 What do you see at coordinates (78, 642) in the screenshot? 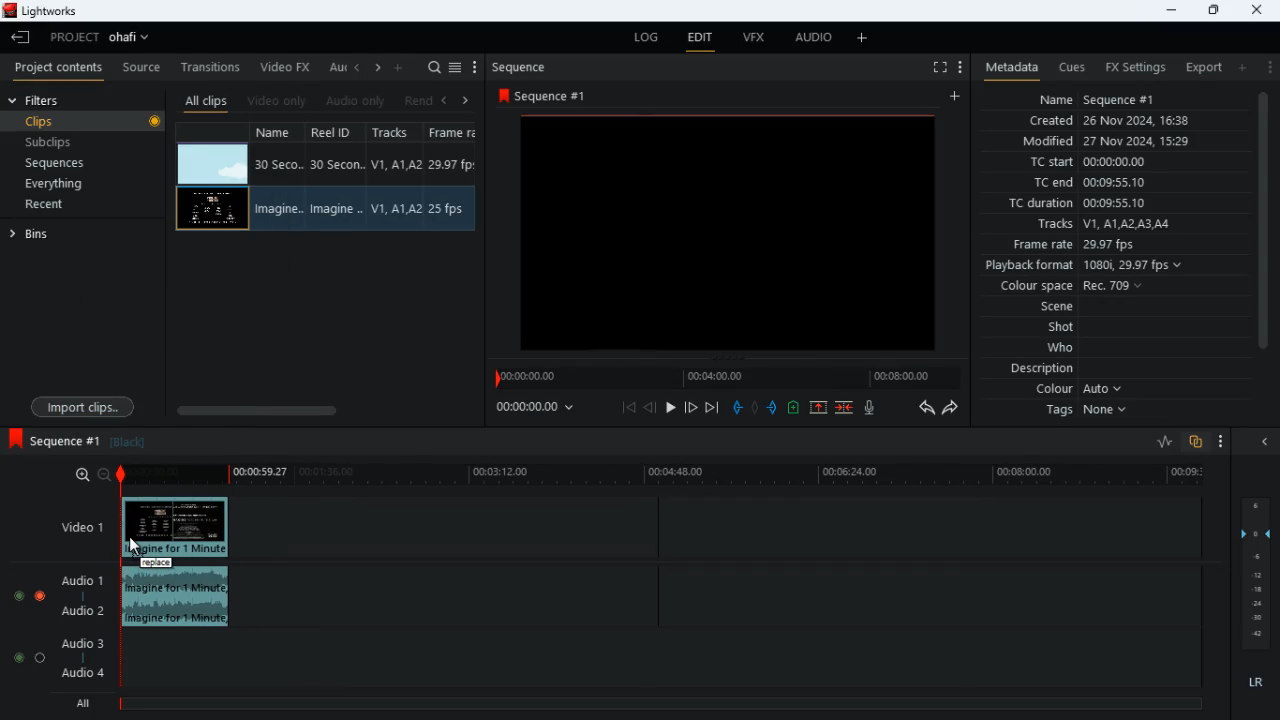
I see `audio 3` at bounding box center [78, 642].